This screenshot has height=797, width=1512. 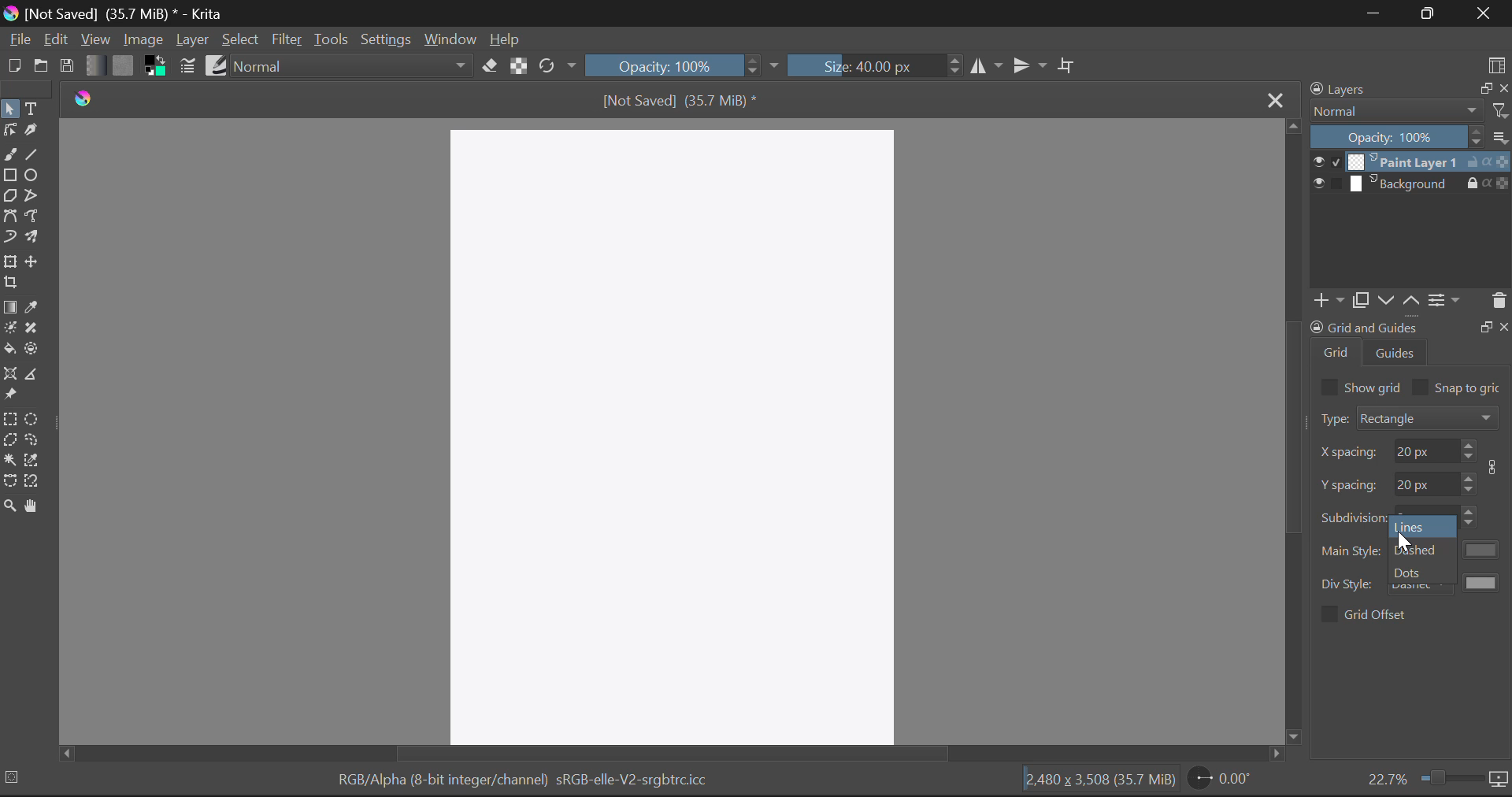 I want to click on Smart Patch Tool, so click(x=31, y=329).